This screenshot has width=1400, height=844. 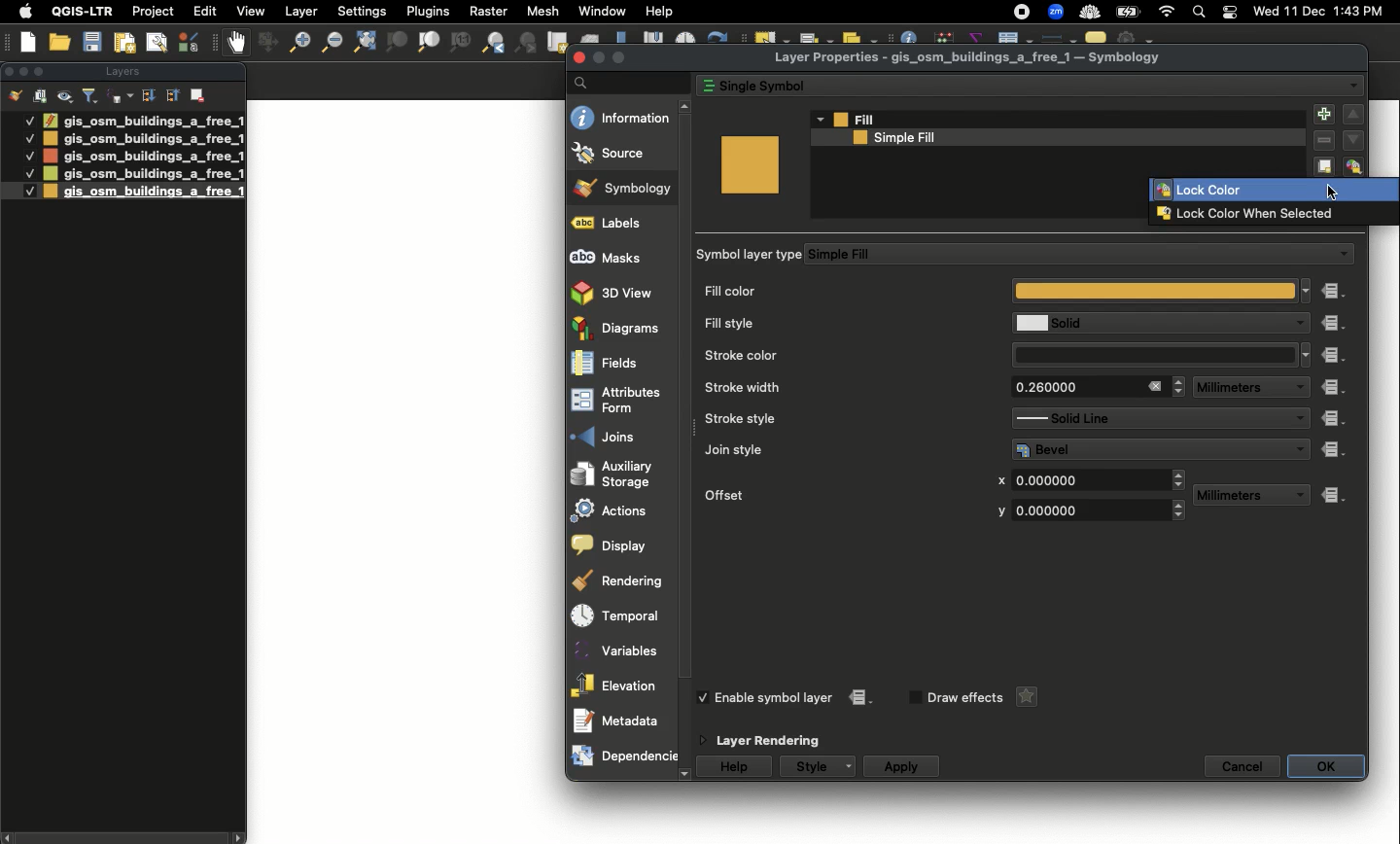 I want to click on Layer Properties - gis_osm_buildings_a_free_1 — Symbology, so click(x=970, y=58).